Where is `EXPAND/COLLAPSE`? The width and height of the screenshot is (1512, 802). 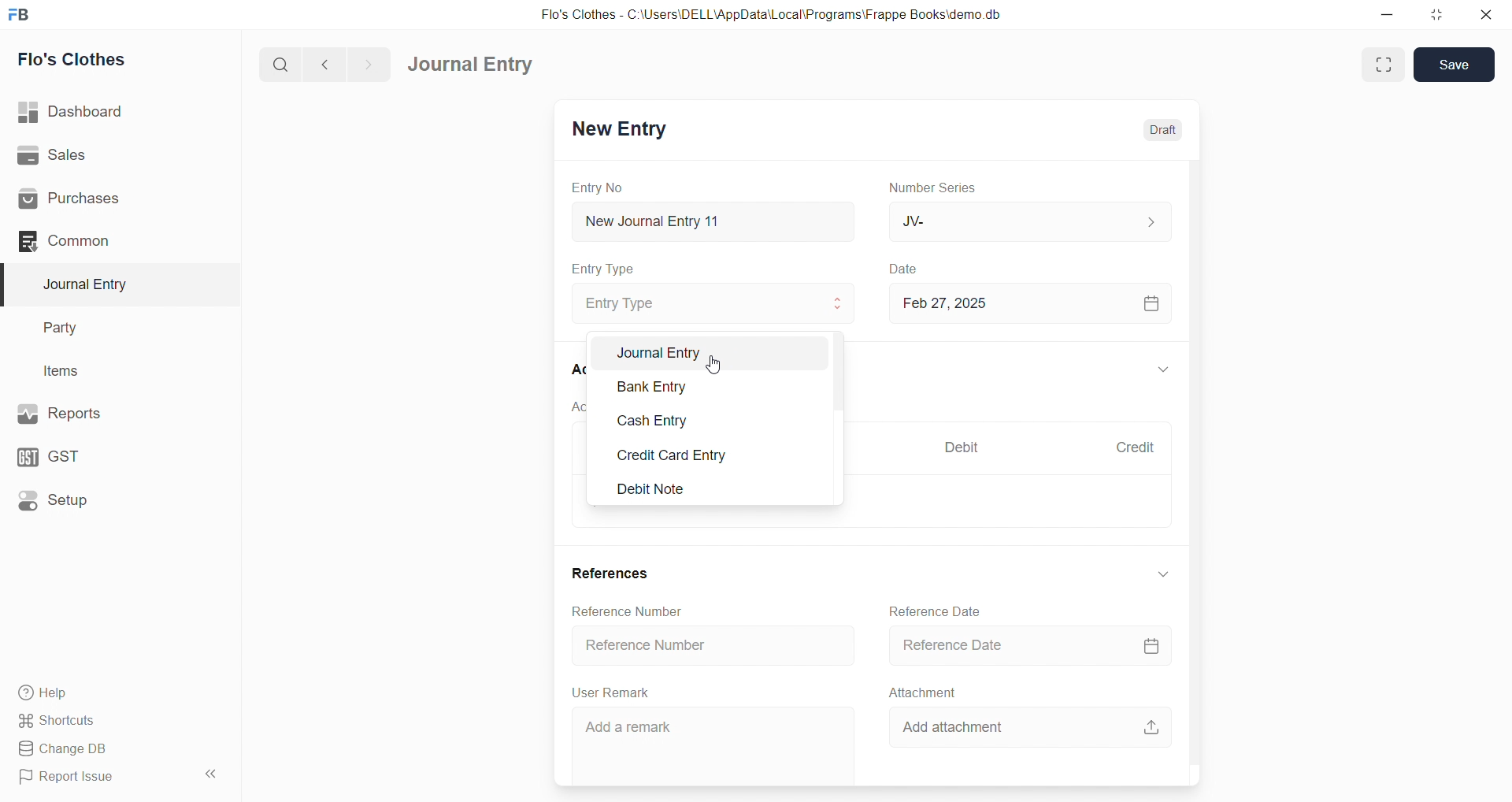 EXPAND/COLLAPSE is located at coordinates (1162, 369).